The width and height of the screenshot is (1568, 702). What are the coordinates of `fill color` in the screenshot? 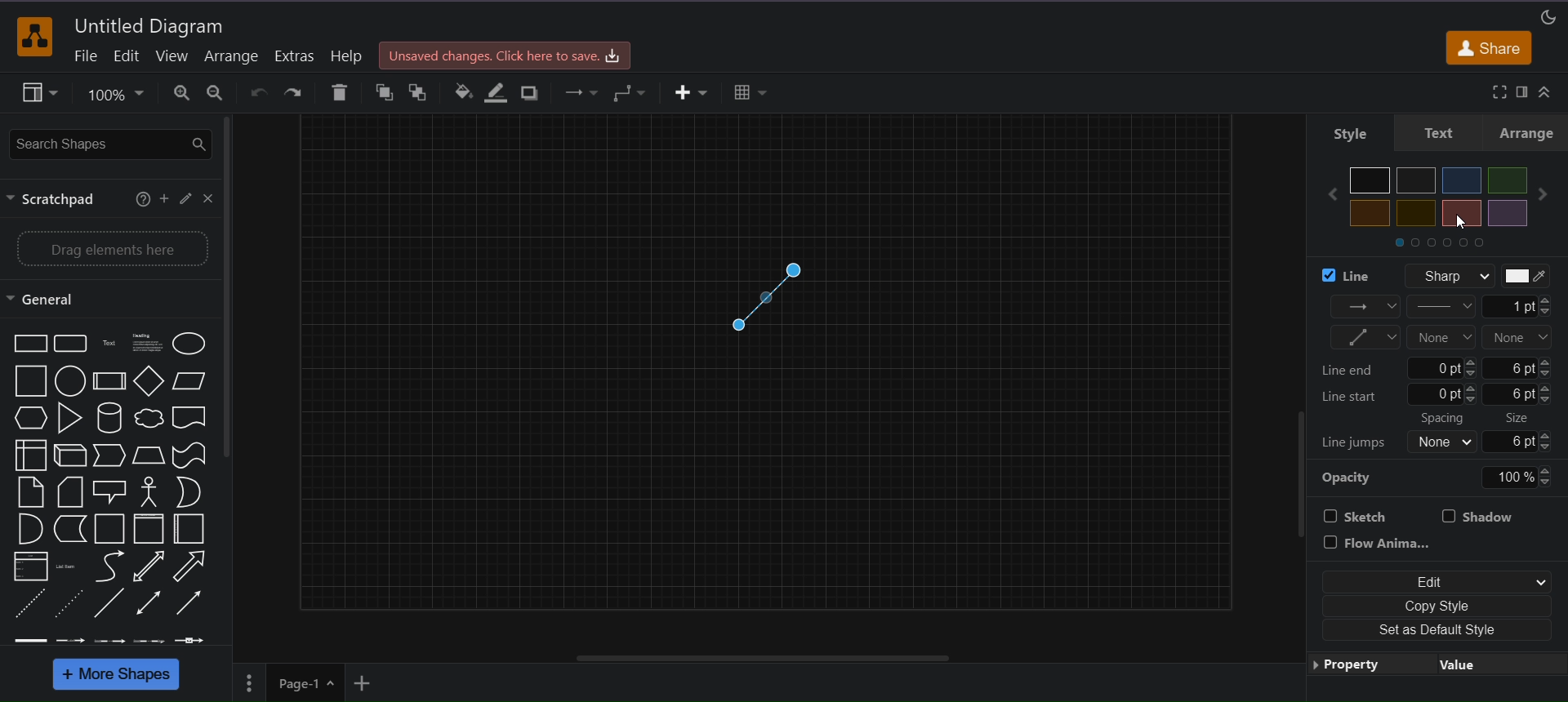 It's located at (464, 90).